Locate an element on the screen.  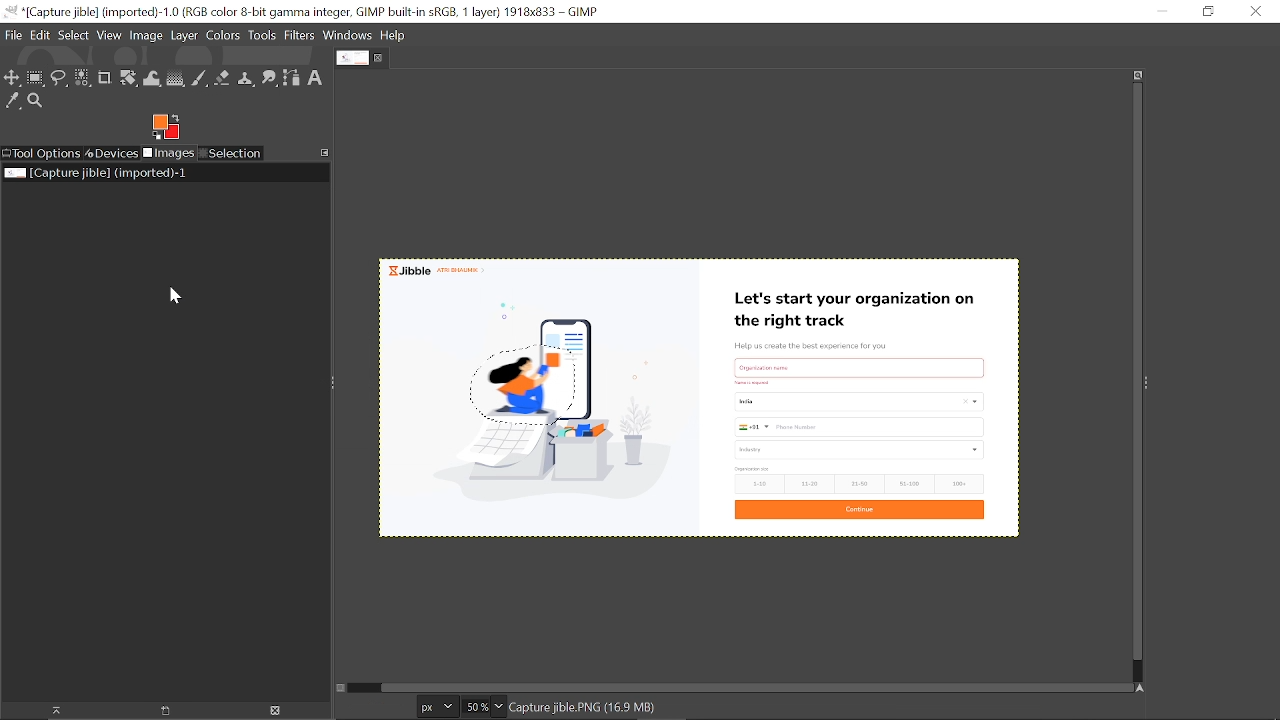
Rectangular select tool is located at coordinates (35, 77).